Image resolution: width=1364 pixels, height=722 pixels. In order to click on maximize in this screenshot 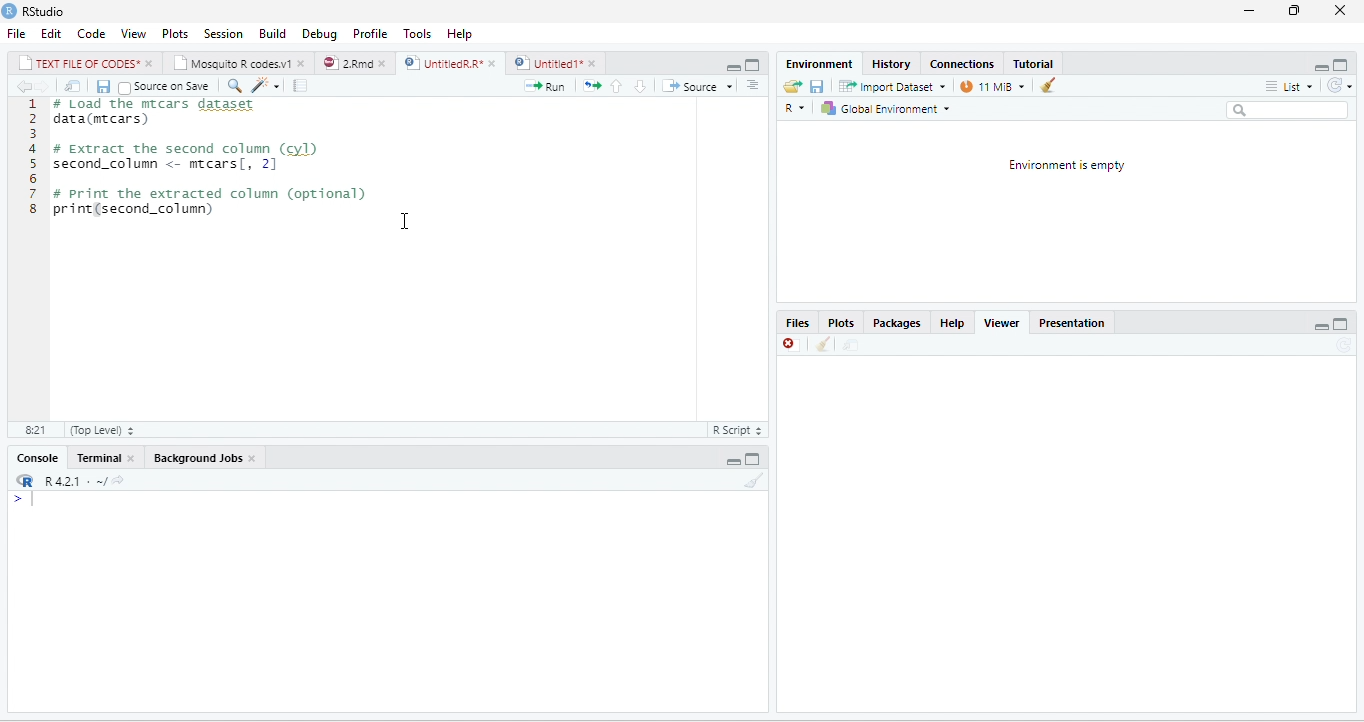, I will do `click(1343, 323)`.